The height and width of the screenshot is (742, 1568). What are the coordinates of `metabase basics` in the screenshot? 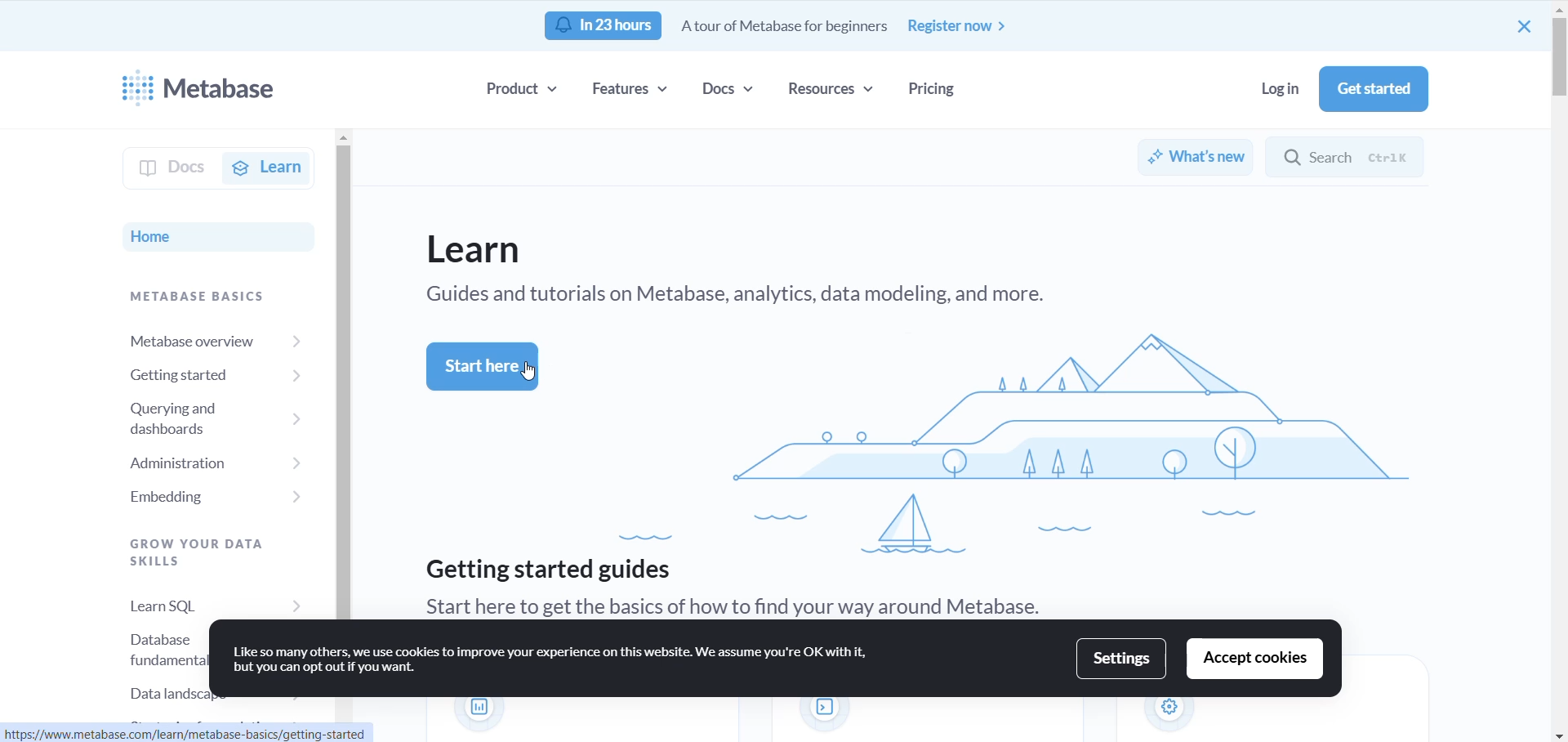 It's located at (198, 297).